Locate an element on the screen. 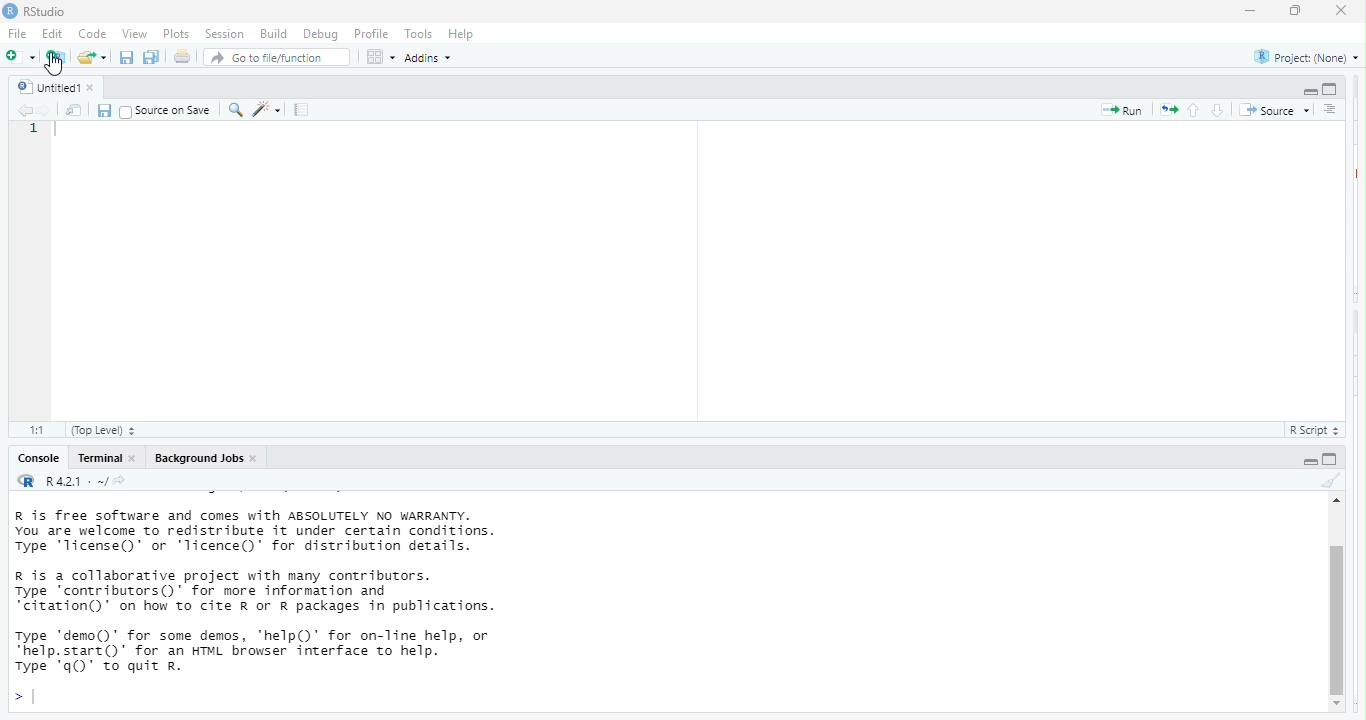 The image size is (1366, 720). Profile is located at coordinates (373, 34).